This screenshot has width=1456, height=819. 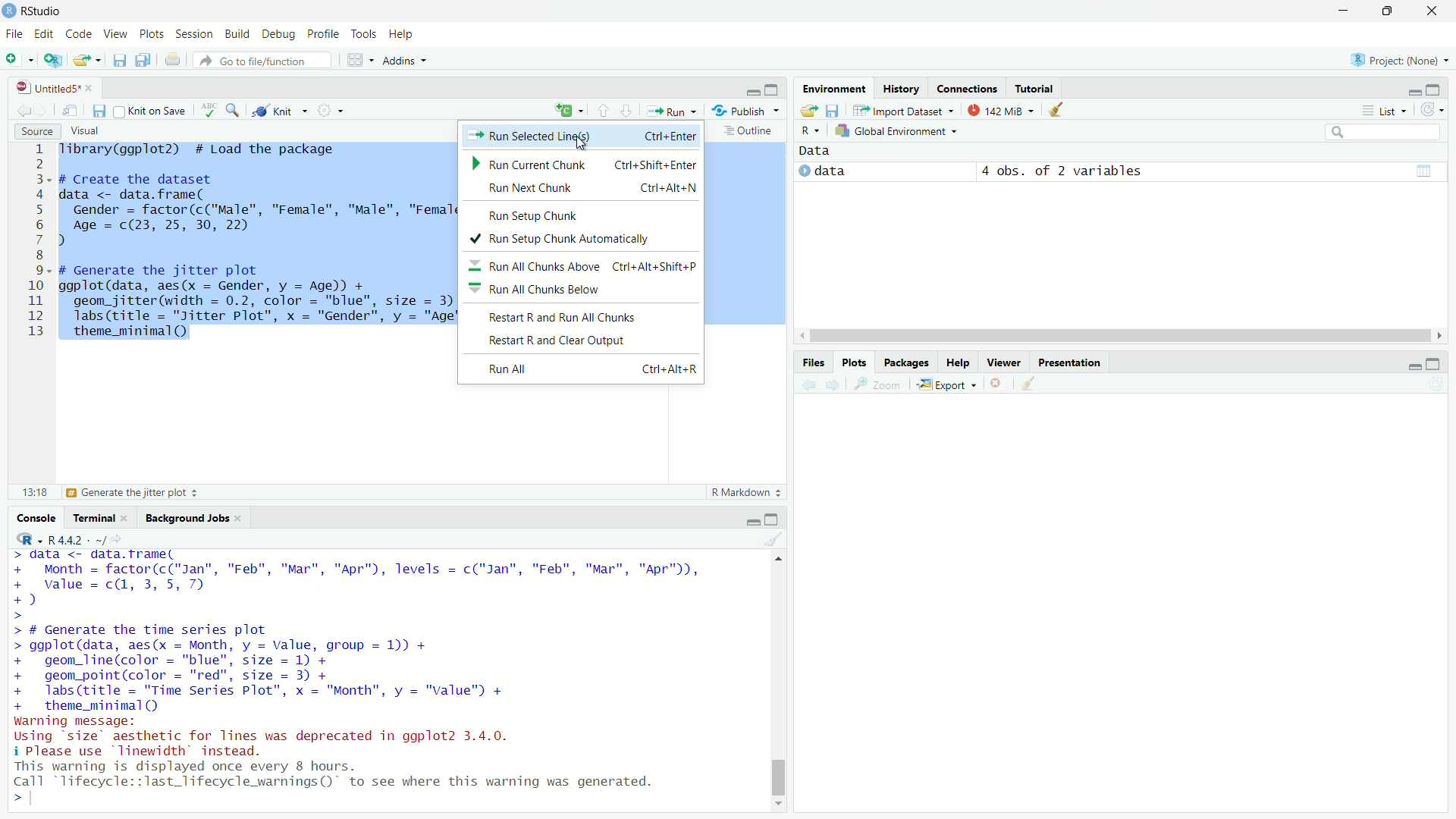 I want to click on minimize, so click(x=1341, y=9).